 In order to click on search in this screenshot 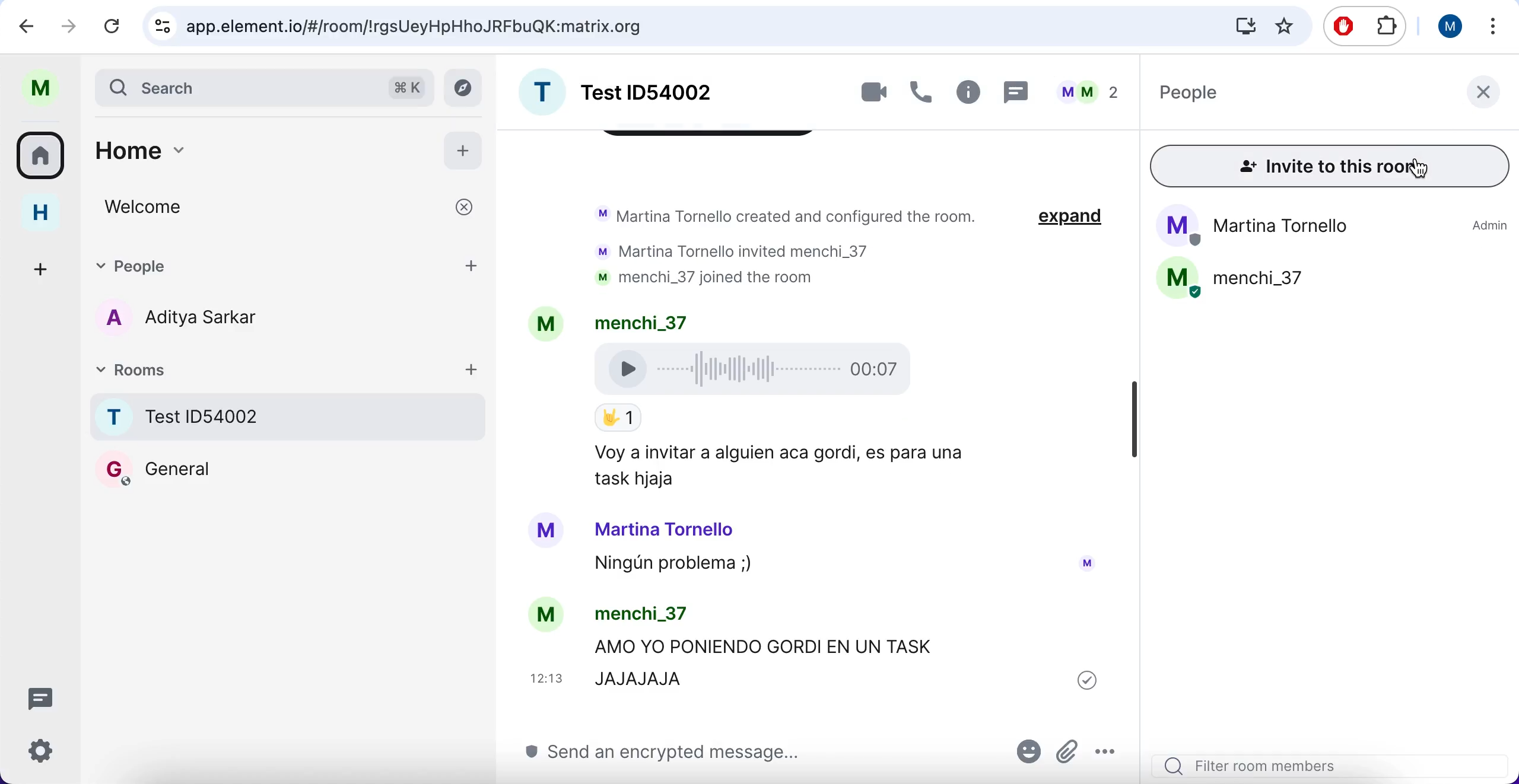, I will do `click(263, 88)`.